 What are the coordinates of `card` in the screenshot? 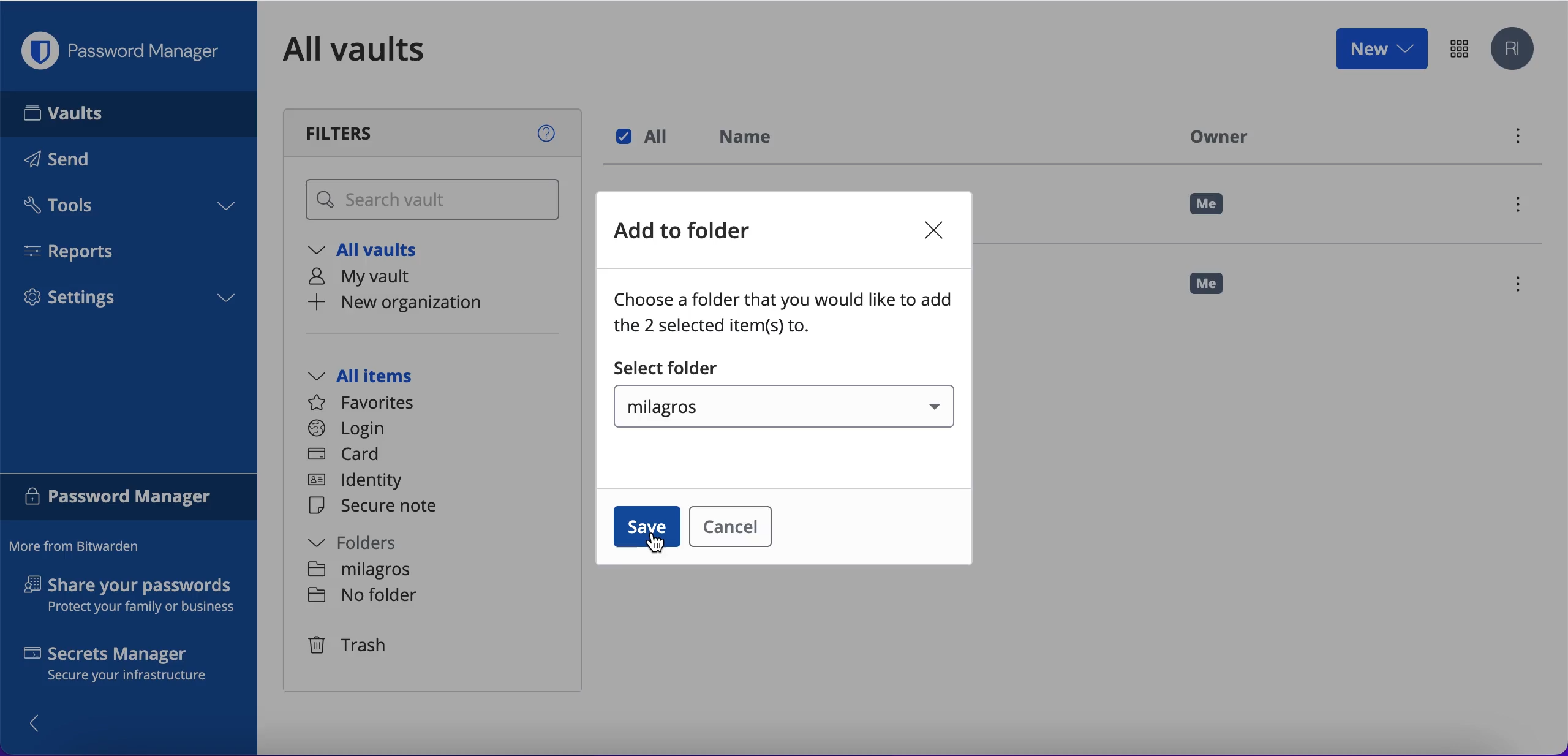 It's located at (346, 455).